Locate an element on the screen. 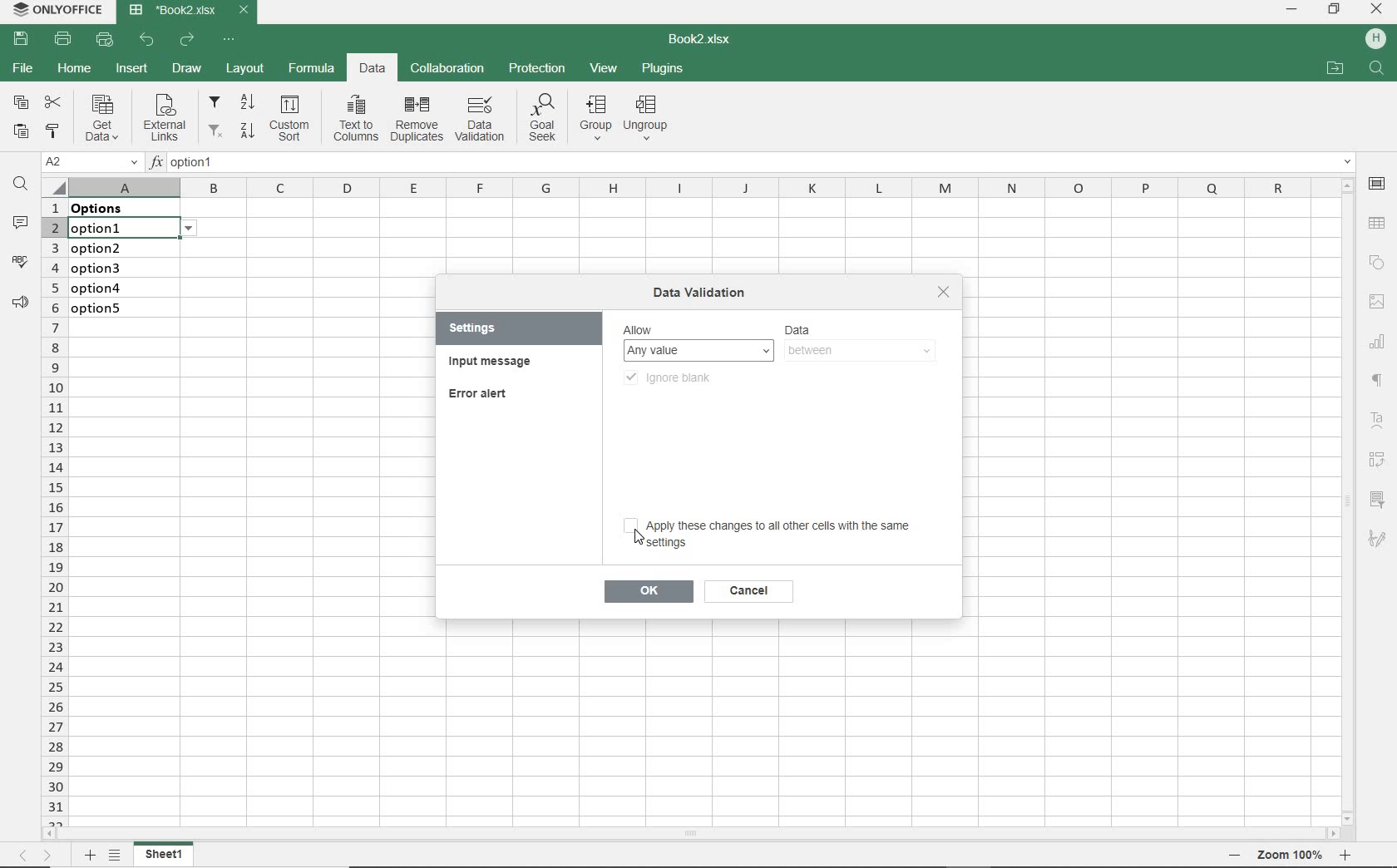  CUSTOMIZE QUICK ACCESS TOOLBAR is located at coordinates (230, 40).